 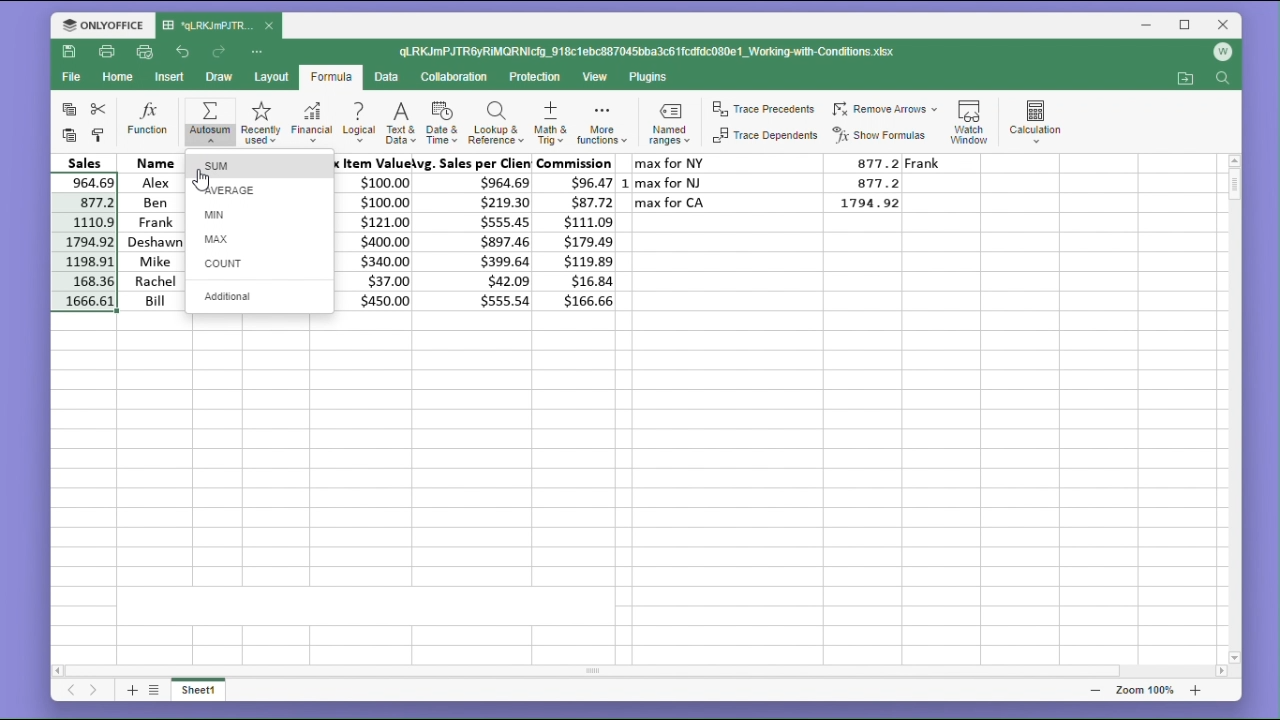 What do you see at coordinates (458, 78) in the screenshot?
I see `collaboration` at bounding box center [458, 78].